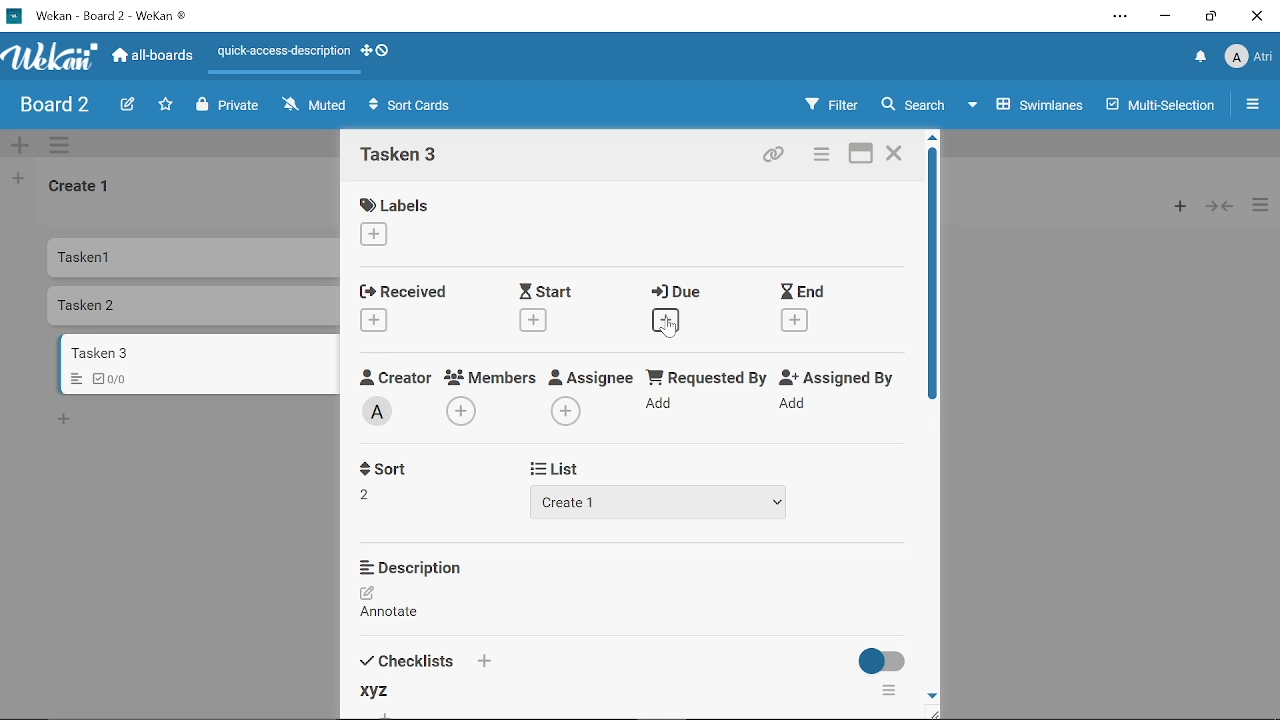  Describe the element at coordinates (462, 411) in the screenshot. I see `Add members` at that location.